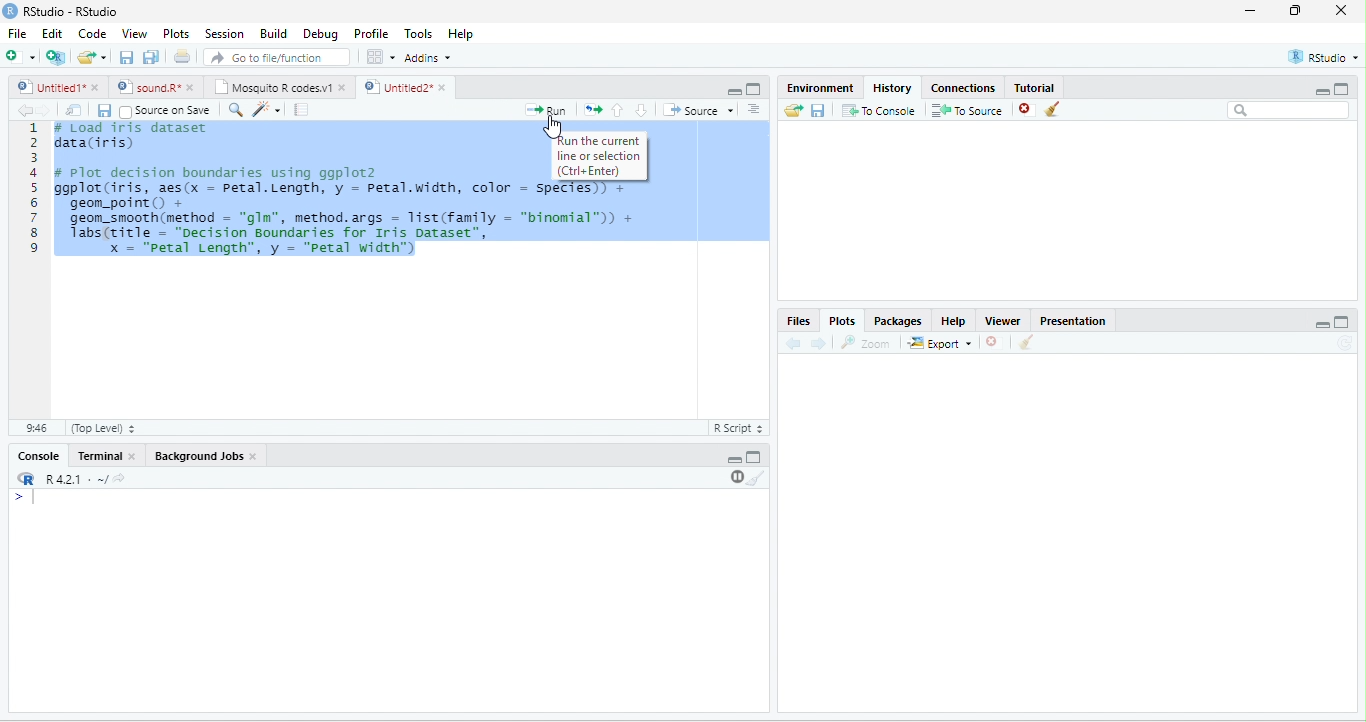 This screenshot has height=722, width=1366. What do you see at coordinates (734, 92) in the screenshot?
I see `minimize` at bounding box center [734, 92].